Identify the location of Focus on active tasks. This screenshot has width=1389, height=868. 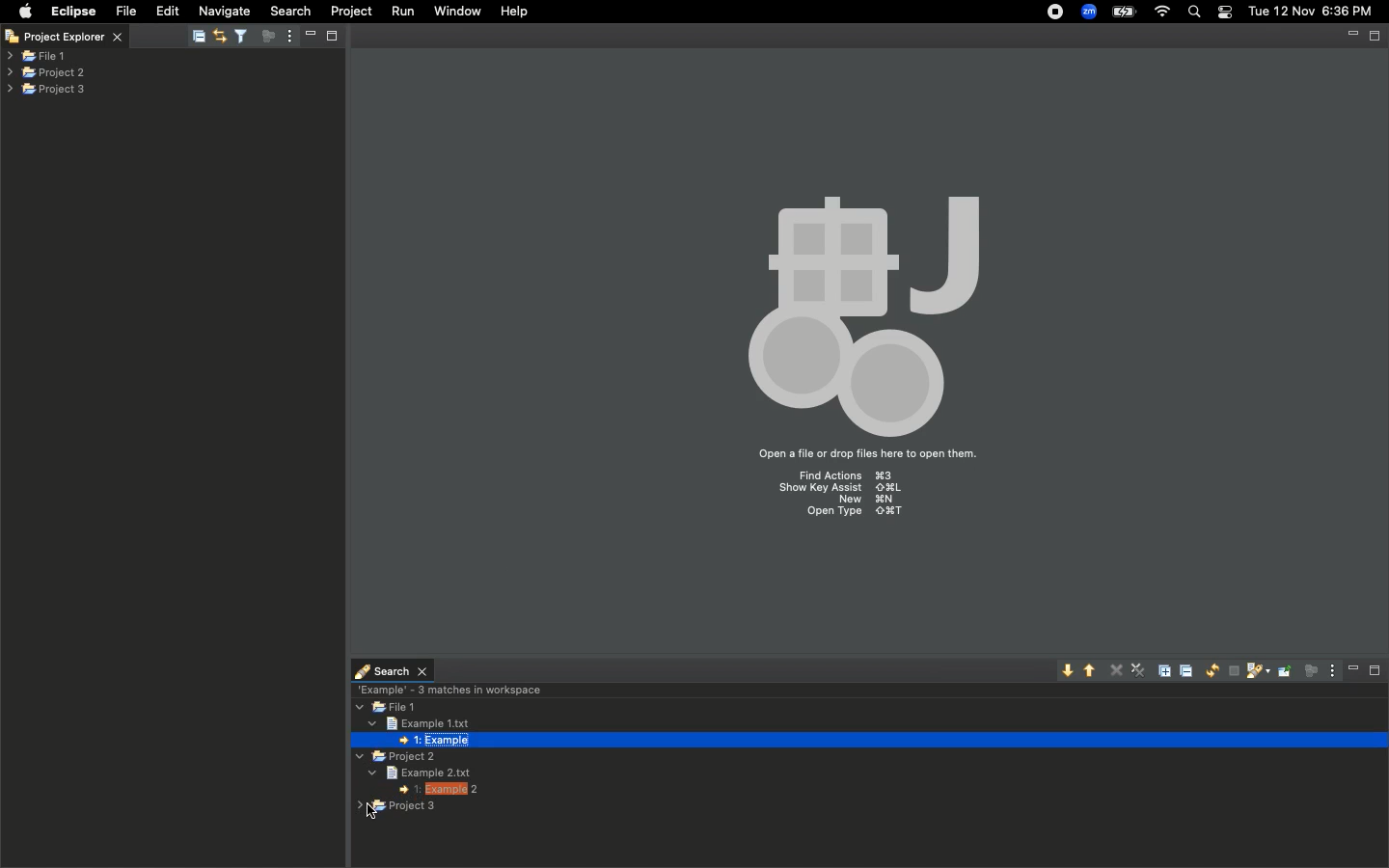
(1309, 670).